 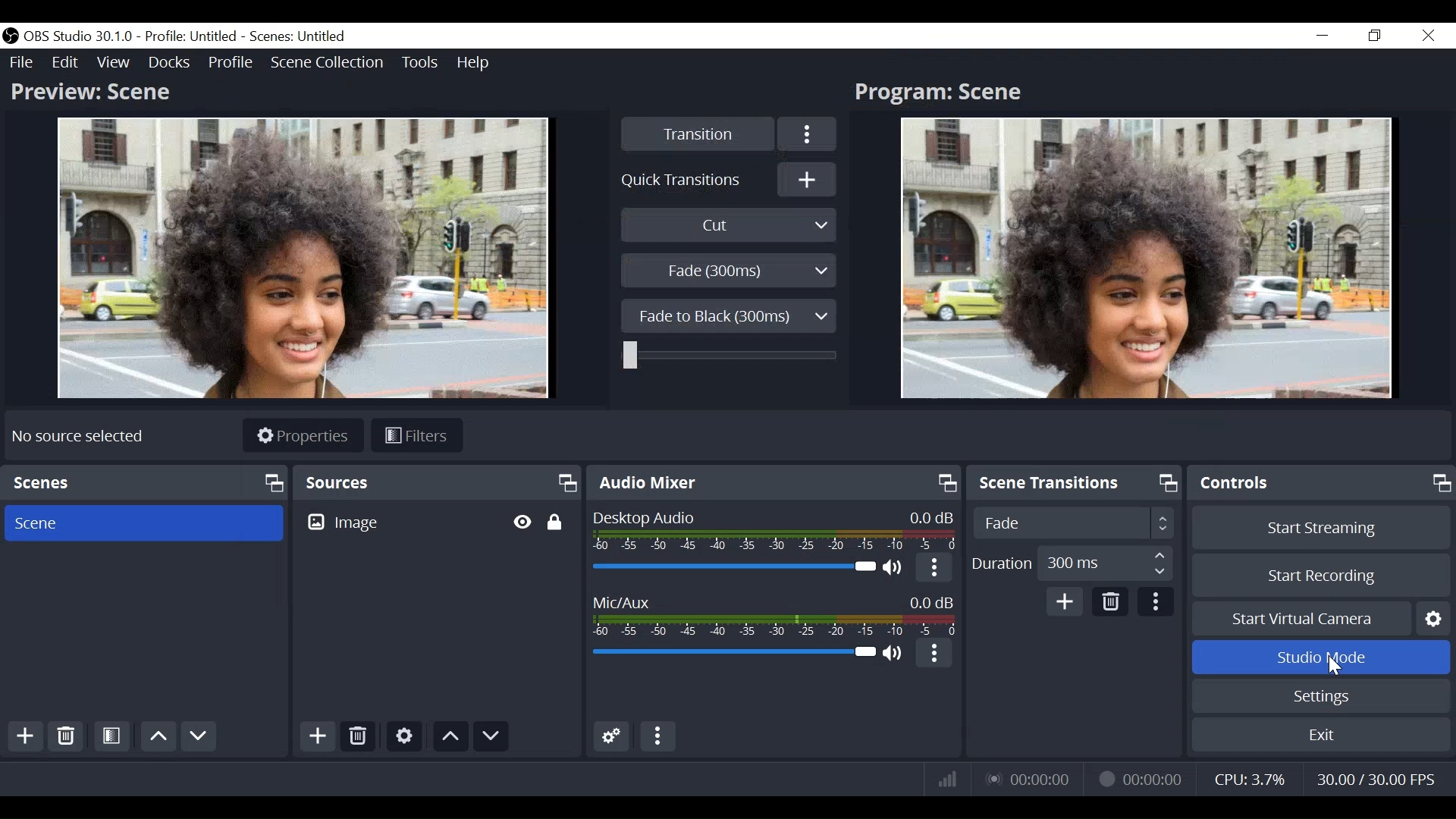 I want to click on Add, so click(x=316, y=736).